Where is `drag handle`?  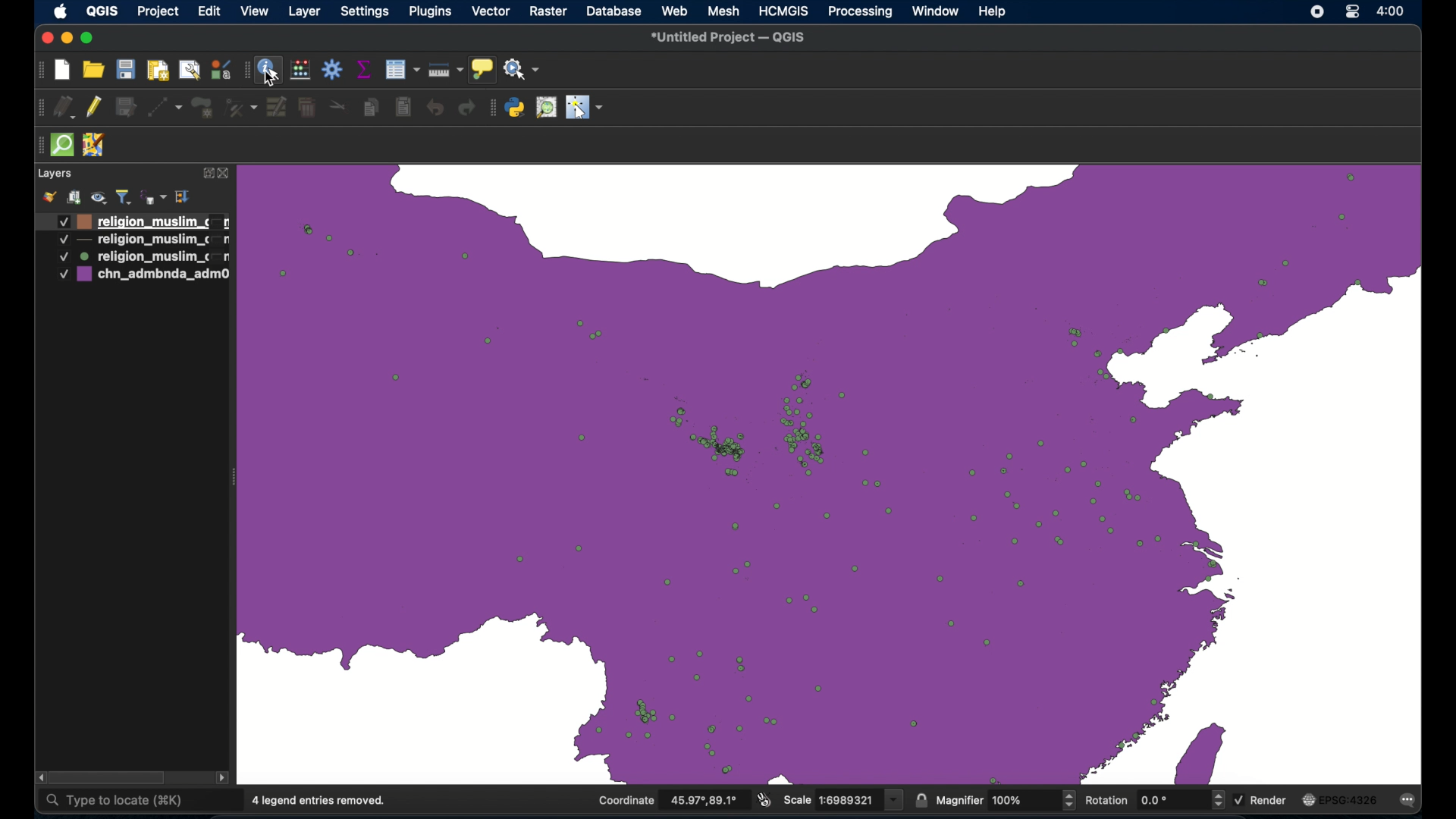 drag handle is located at coordinates (243, 71).